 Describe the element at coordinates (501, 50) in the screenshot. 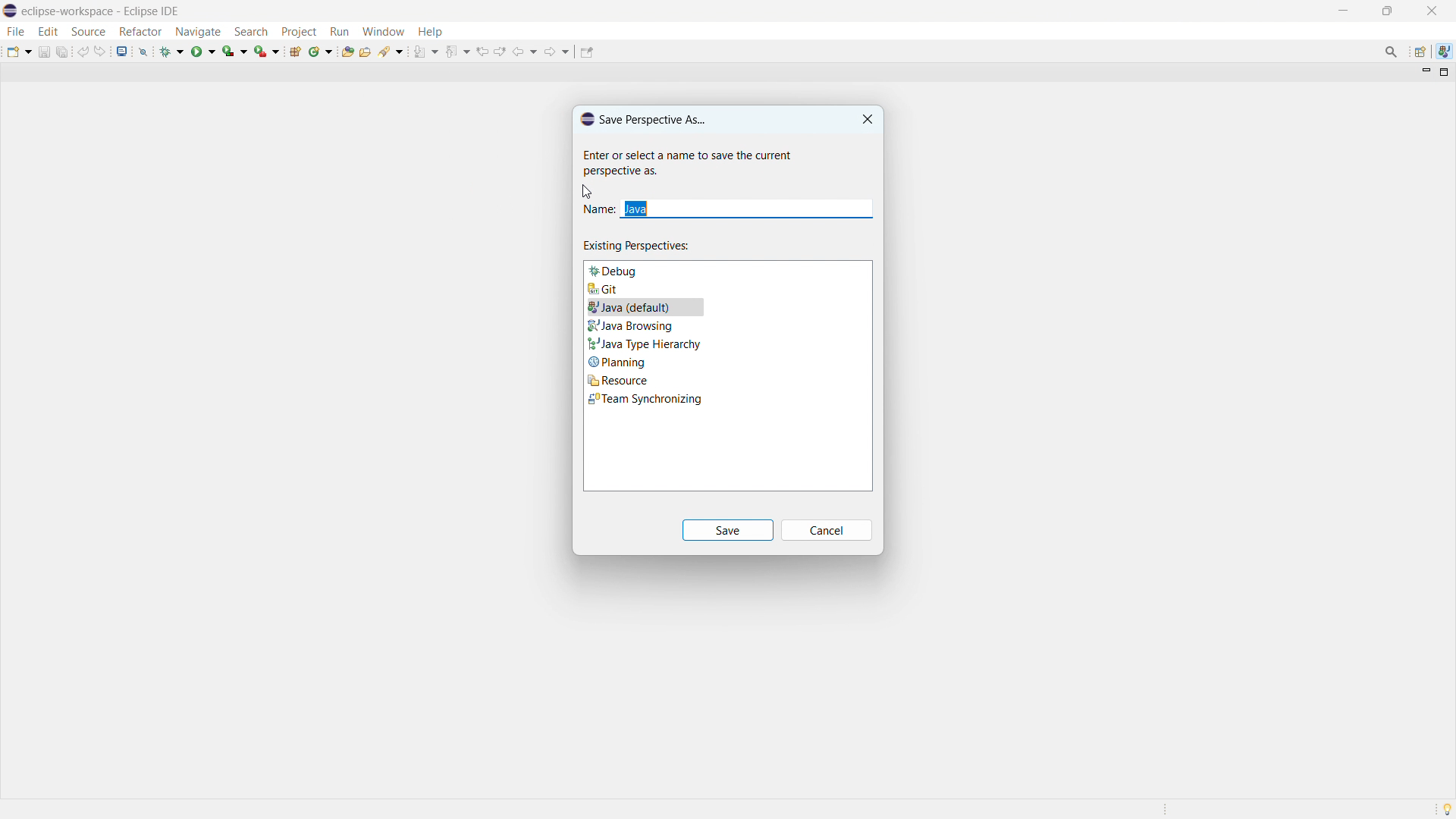

I see `view next location` at that location.